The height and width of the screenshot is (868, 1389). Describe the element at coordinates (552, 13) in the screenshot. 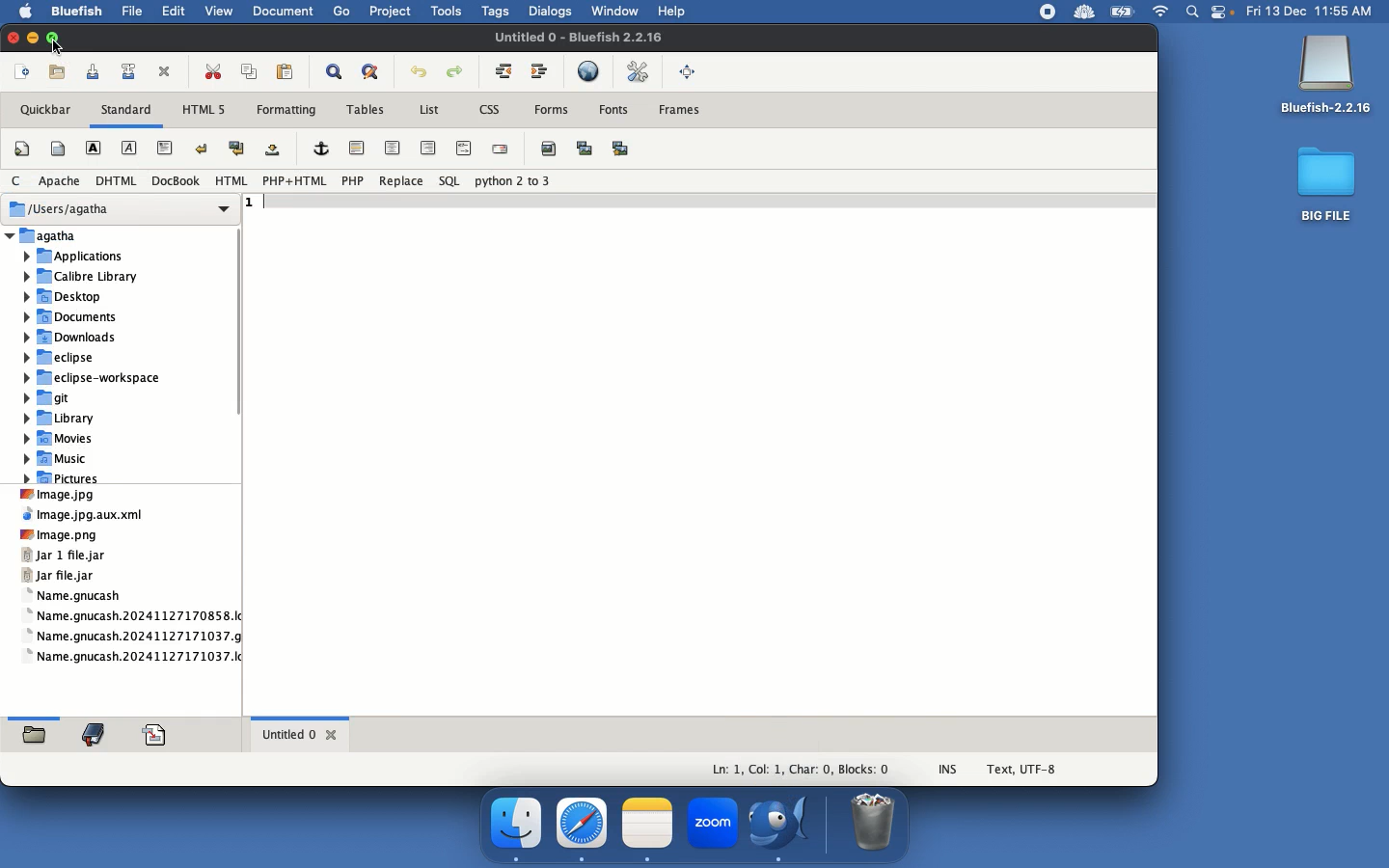

I see `dialogs` at that location.